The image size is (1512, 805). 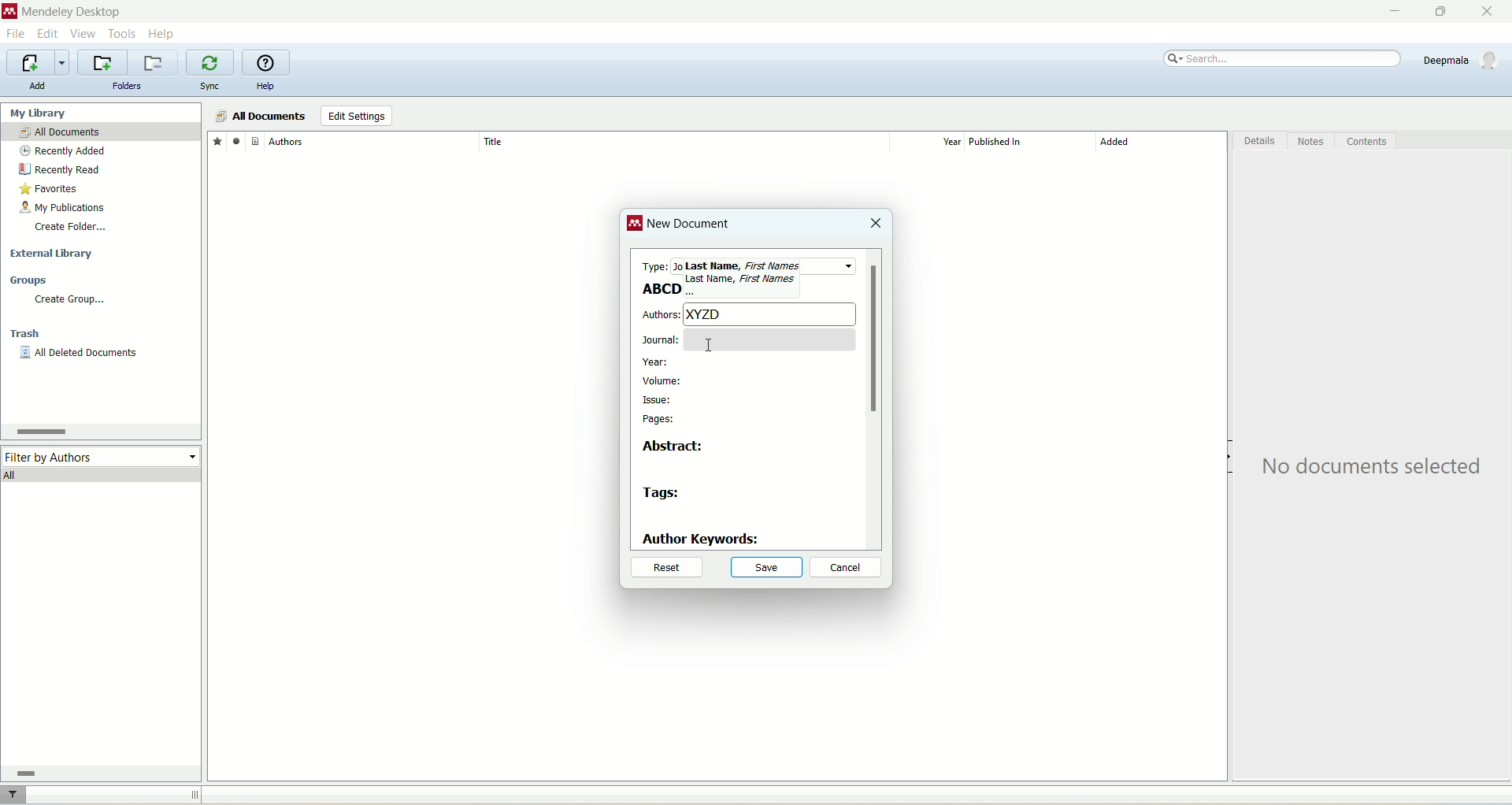 What do you see at coordinates (1261, 143) in the screenshot?
I see `details` at bounding box center [1261, 143].